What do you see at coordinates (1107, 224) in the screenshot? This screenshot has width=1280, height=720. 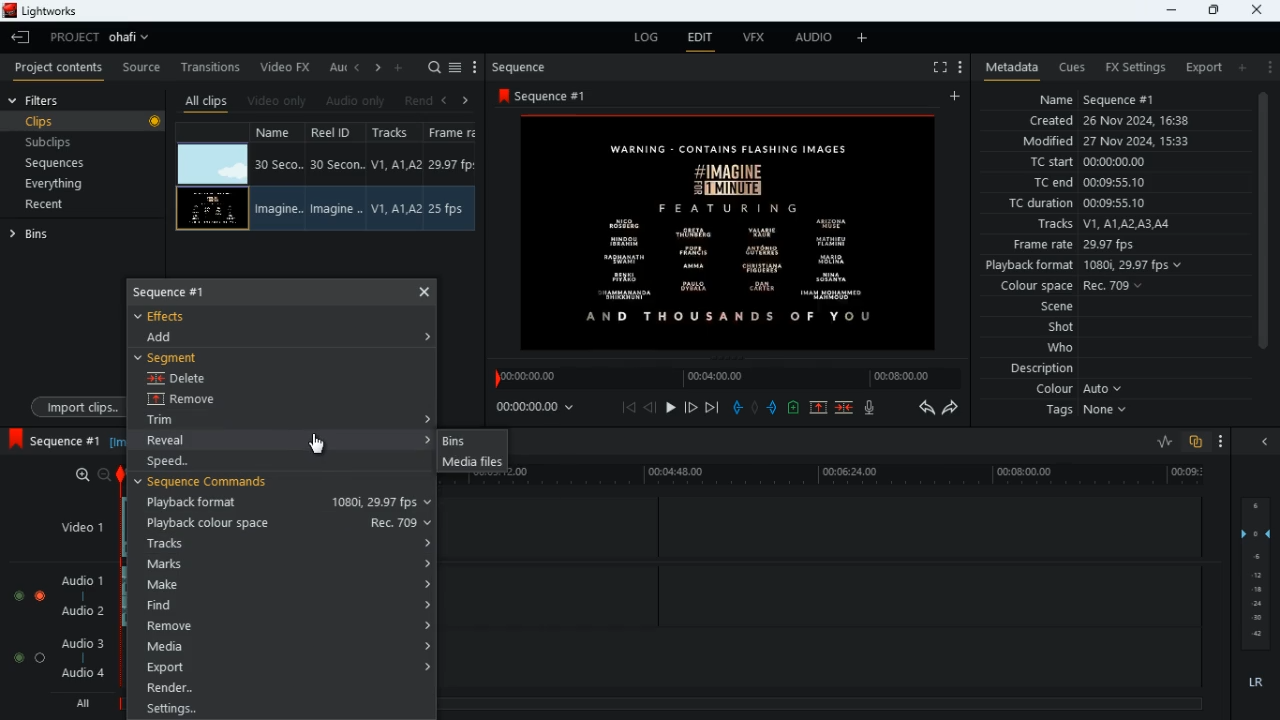 I see `tracks` at bounding box center [1107, 224].